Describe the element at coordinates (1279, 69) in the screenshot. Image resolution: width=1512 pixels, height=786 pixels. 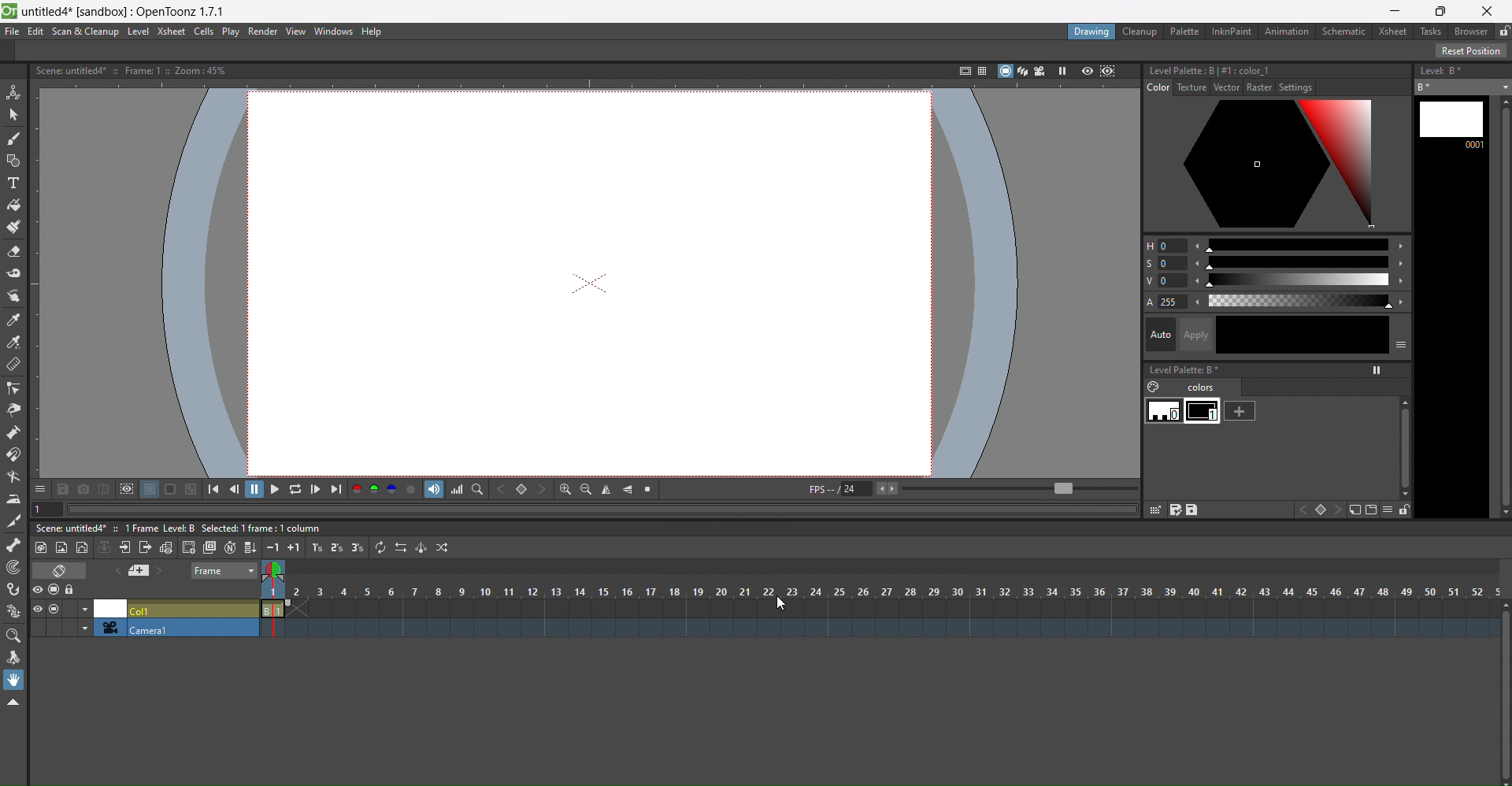
I see `style selected` at that location.